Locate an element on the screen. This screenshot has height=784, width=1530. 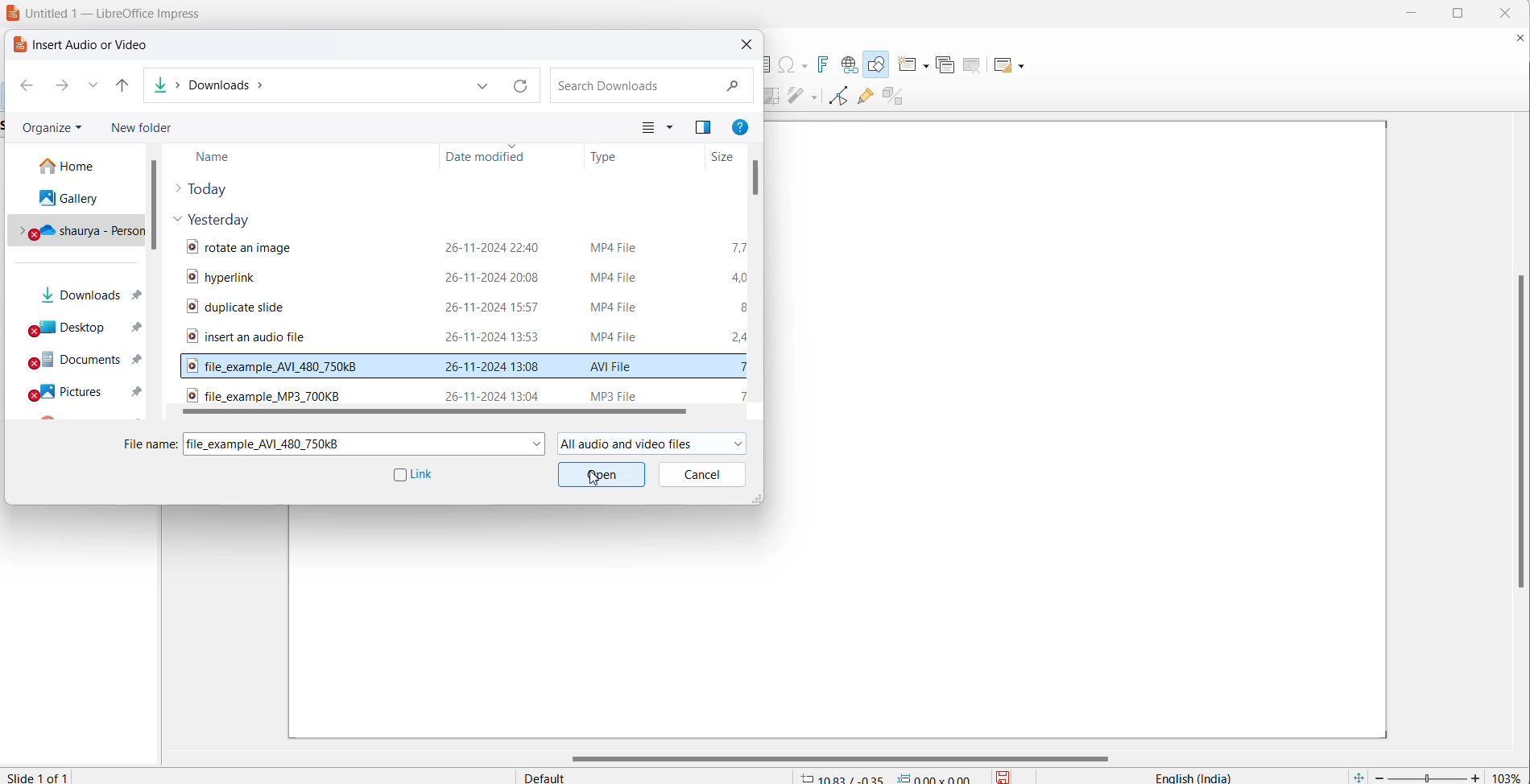
increase zoom is located at coordinates (1475, 776).